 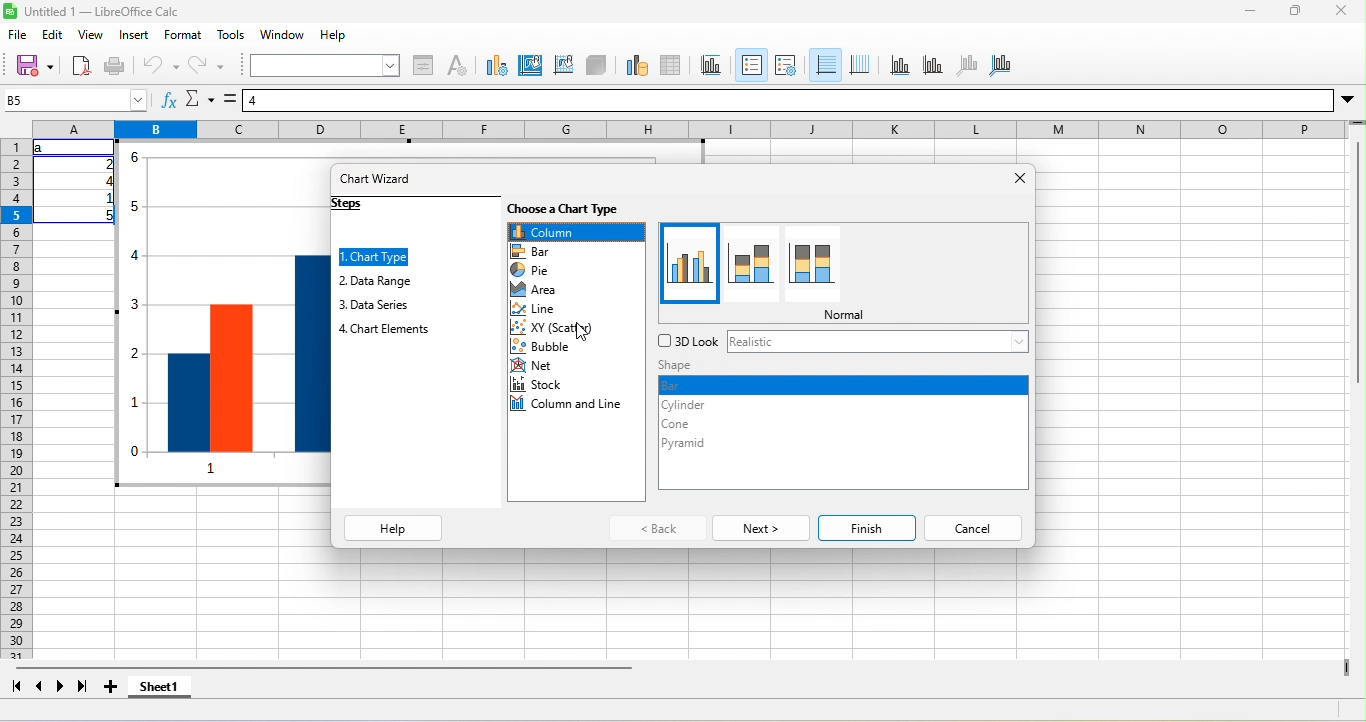 I want to click on Untitled 1 — LibreOffice Calc, so click(x=102, y=11).